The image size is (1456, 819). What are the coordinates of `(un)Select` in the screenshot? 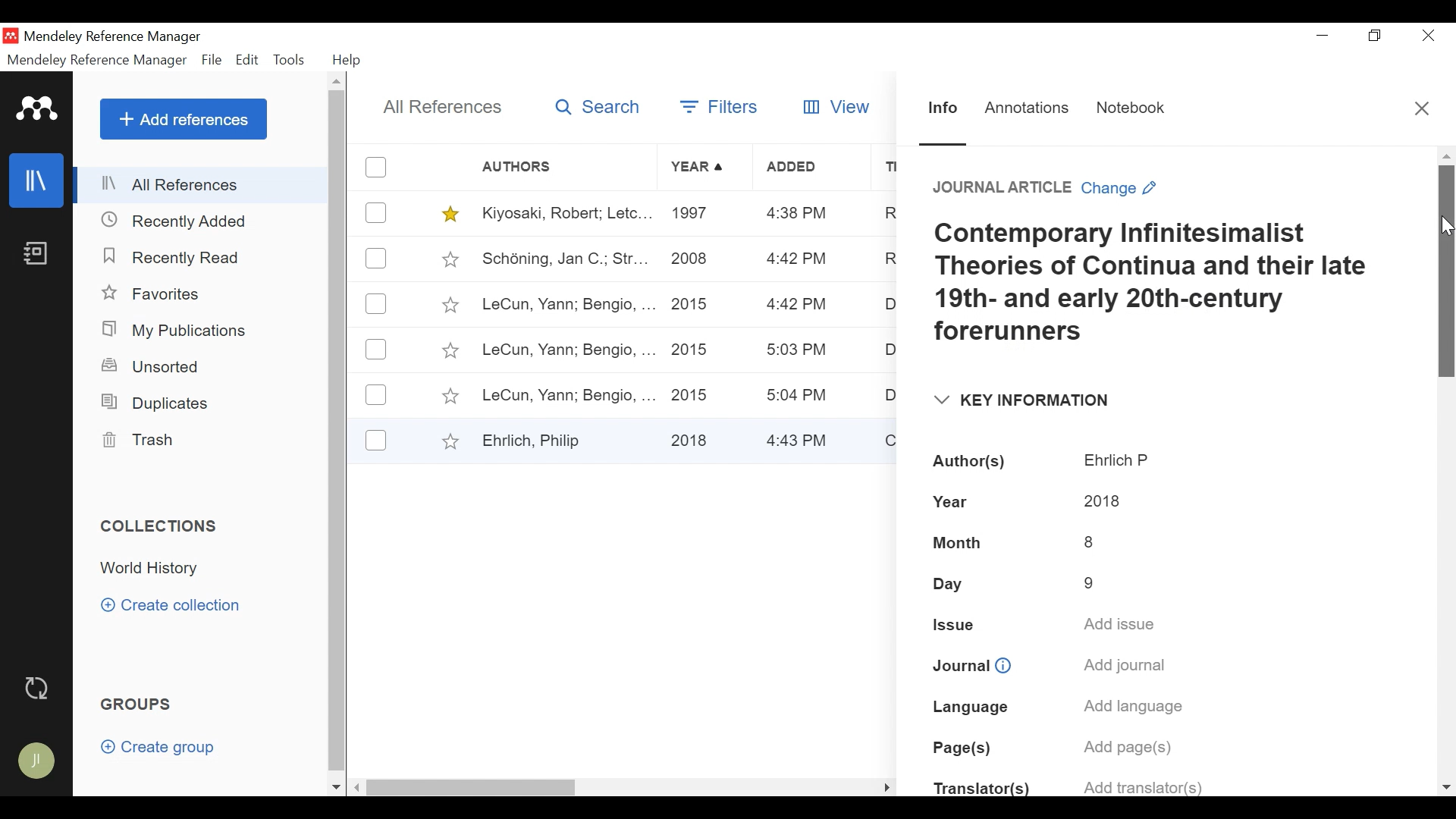 It's located at (376, 259).